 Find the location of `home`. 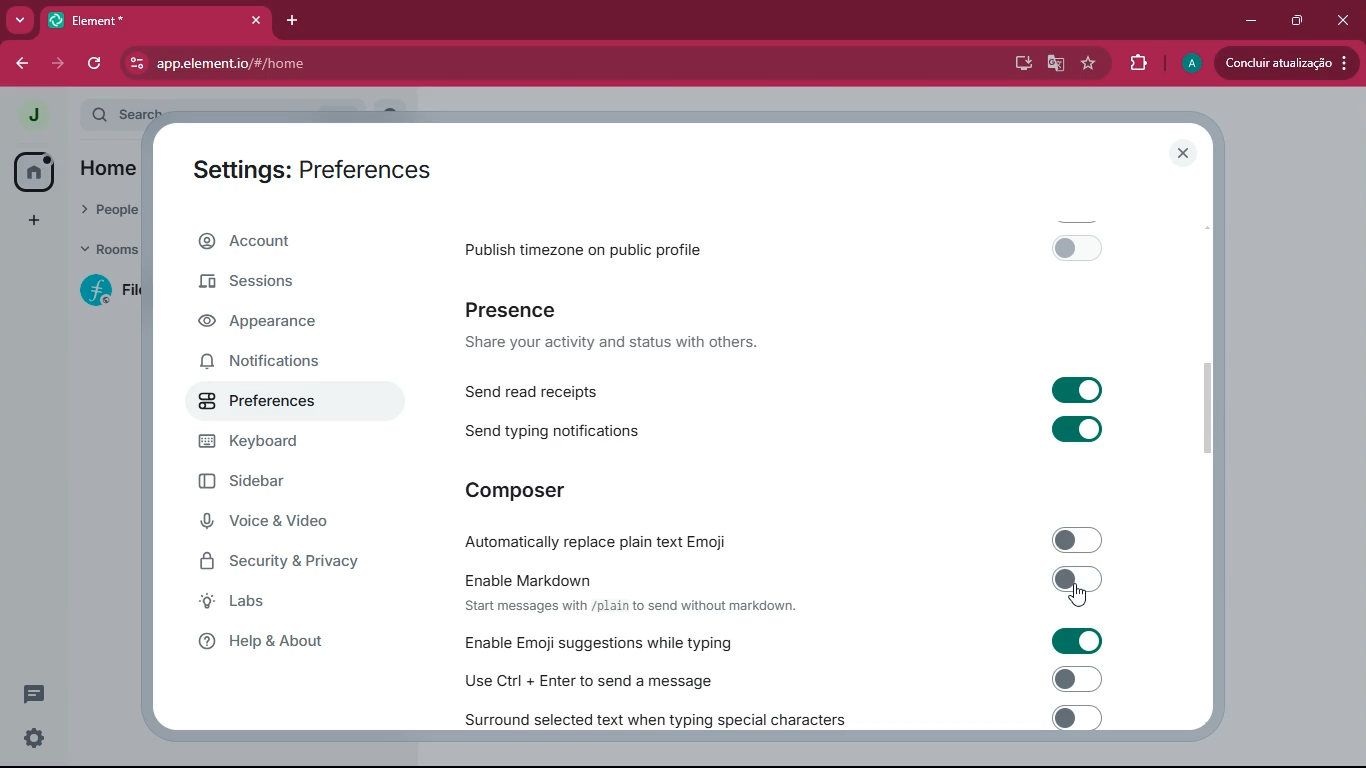

home is located at coordinates (28, 172).